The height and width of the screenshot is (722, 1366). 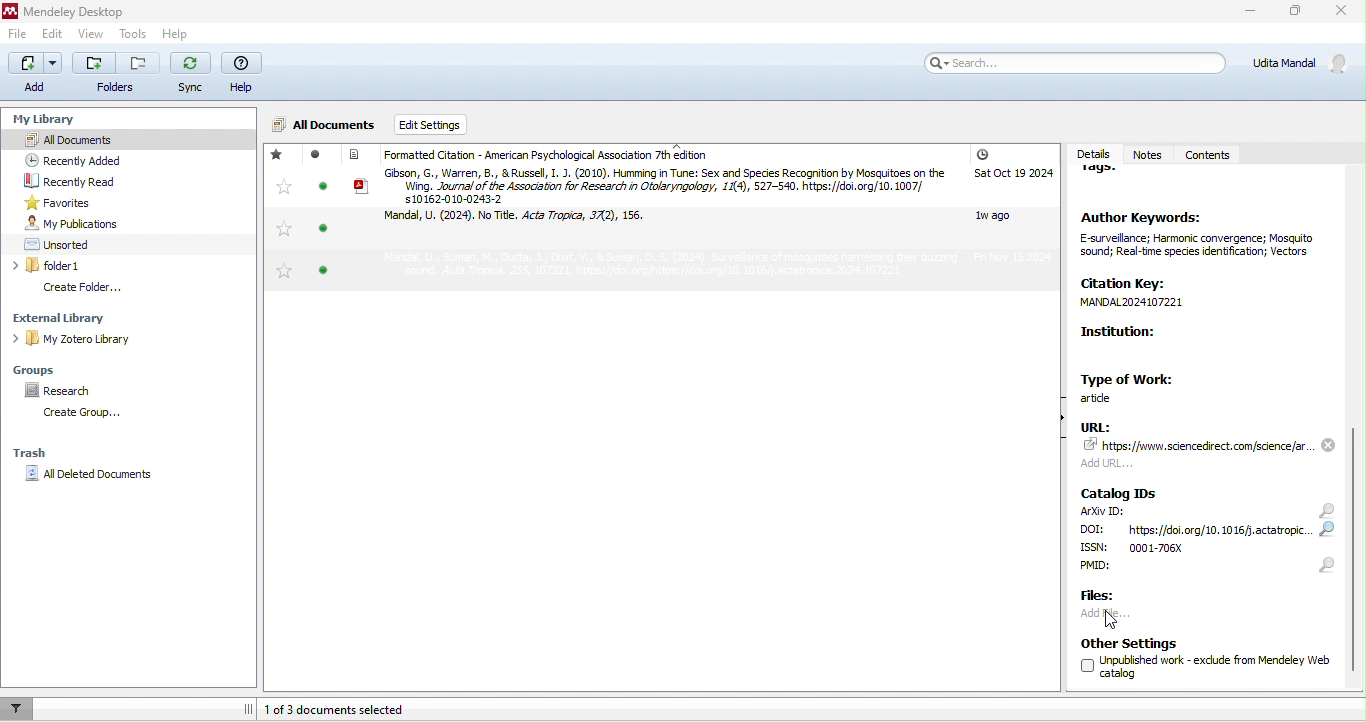 I want to click on edit settings, so click(x=451, y=125).